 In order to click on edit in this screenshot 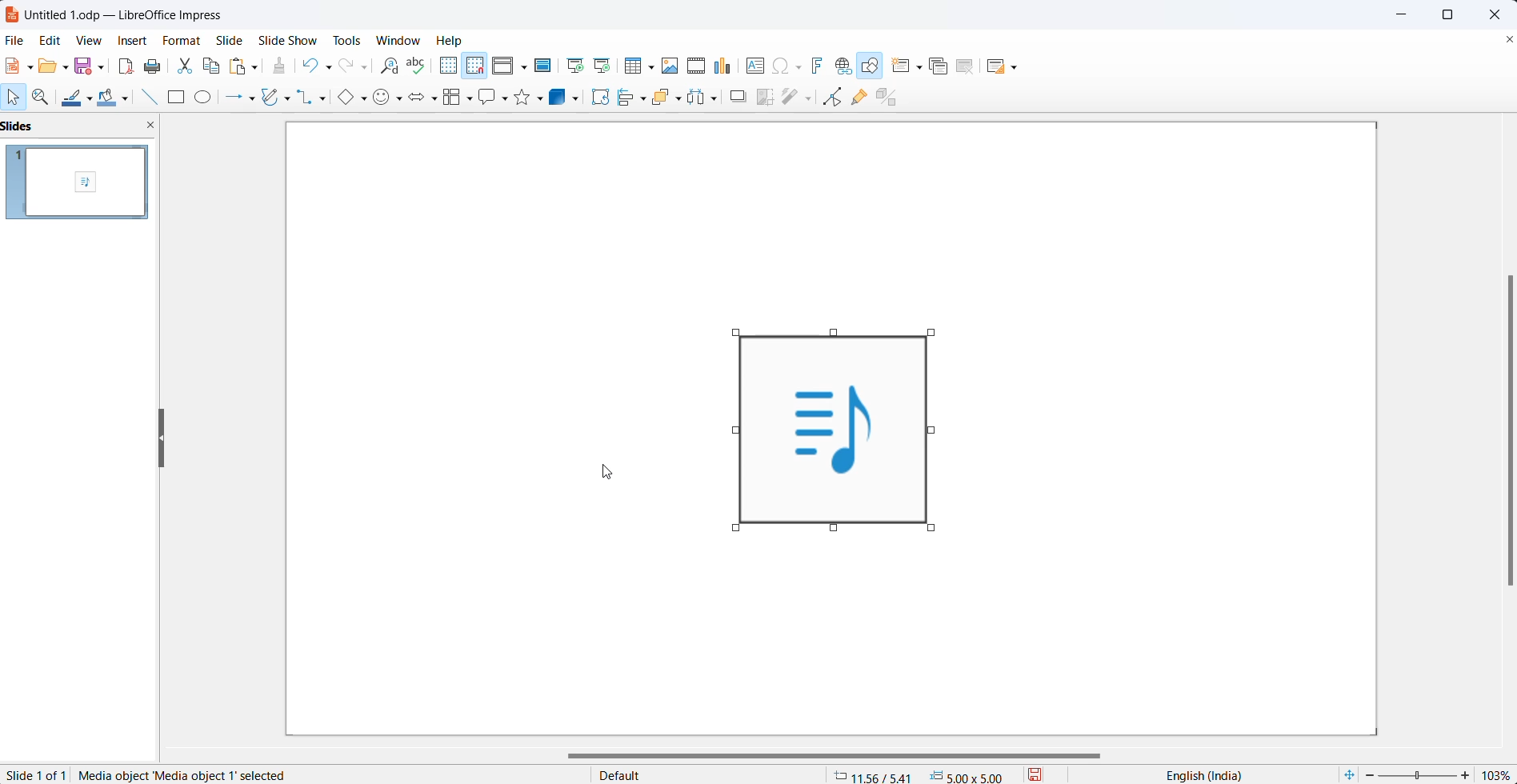, I will do `click(49, 40)`.